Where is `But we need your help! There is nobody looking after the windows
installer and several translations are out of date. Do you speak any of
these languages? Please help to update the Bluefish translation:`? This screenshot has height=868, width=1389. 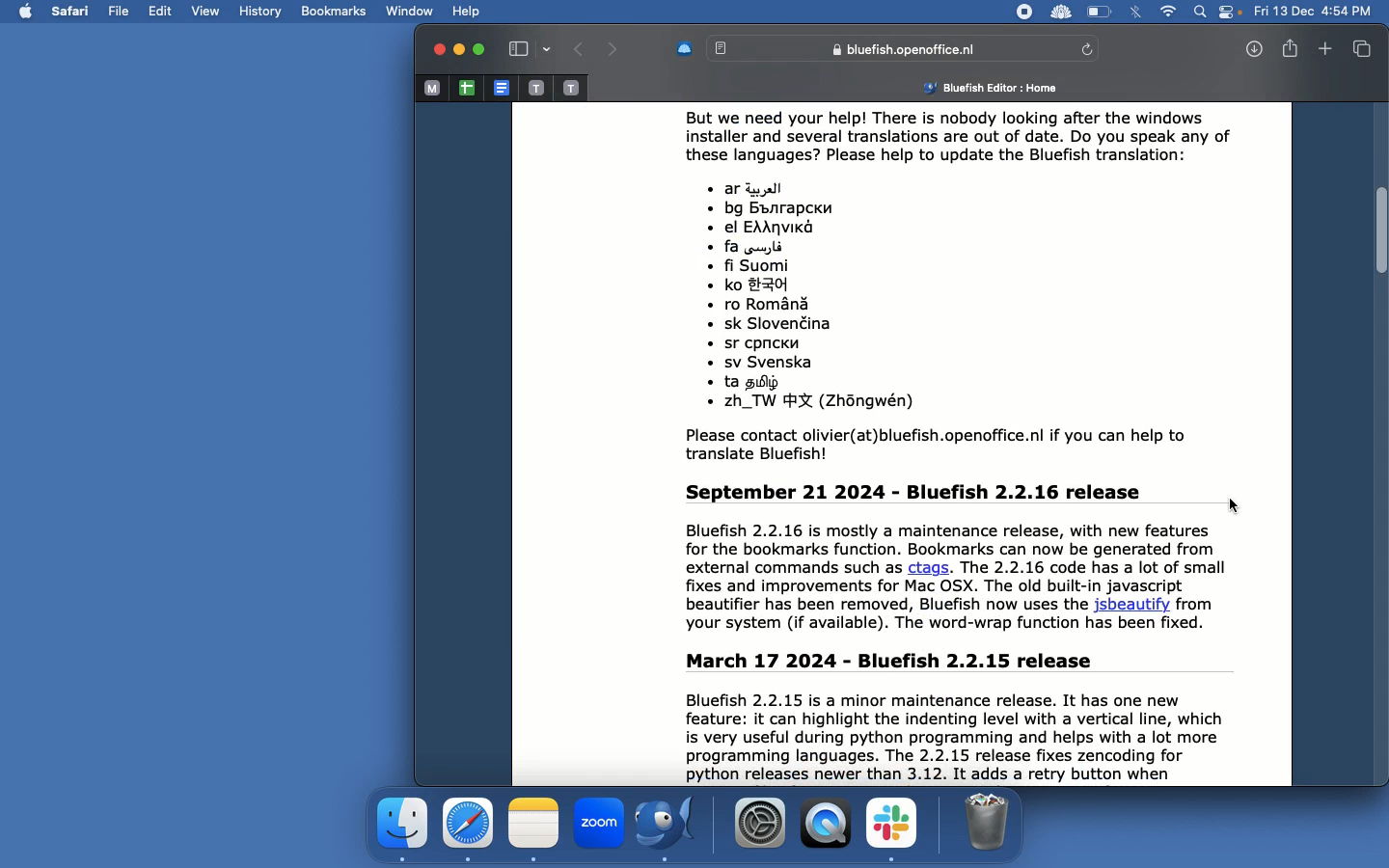 But we need your help! There is nobody looking after the windows
installer and several translations are out of date. Do you speak any of
these languages? Please help to update the Bluefish translation: is located at coordinates (971, 141).